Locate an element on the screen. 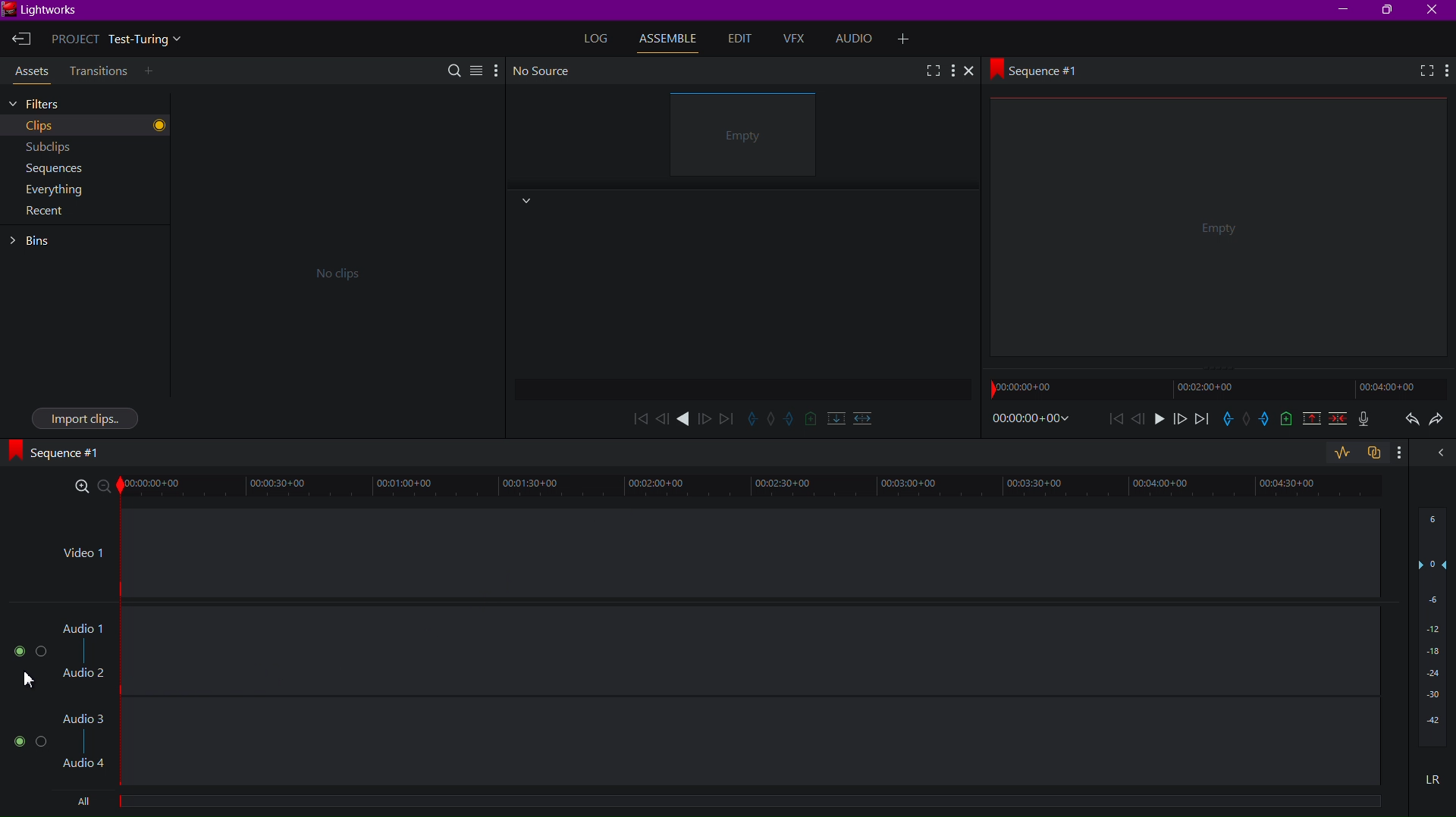  Everything is located at coordinates (80, 192).